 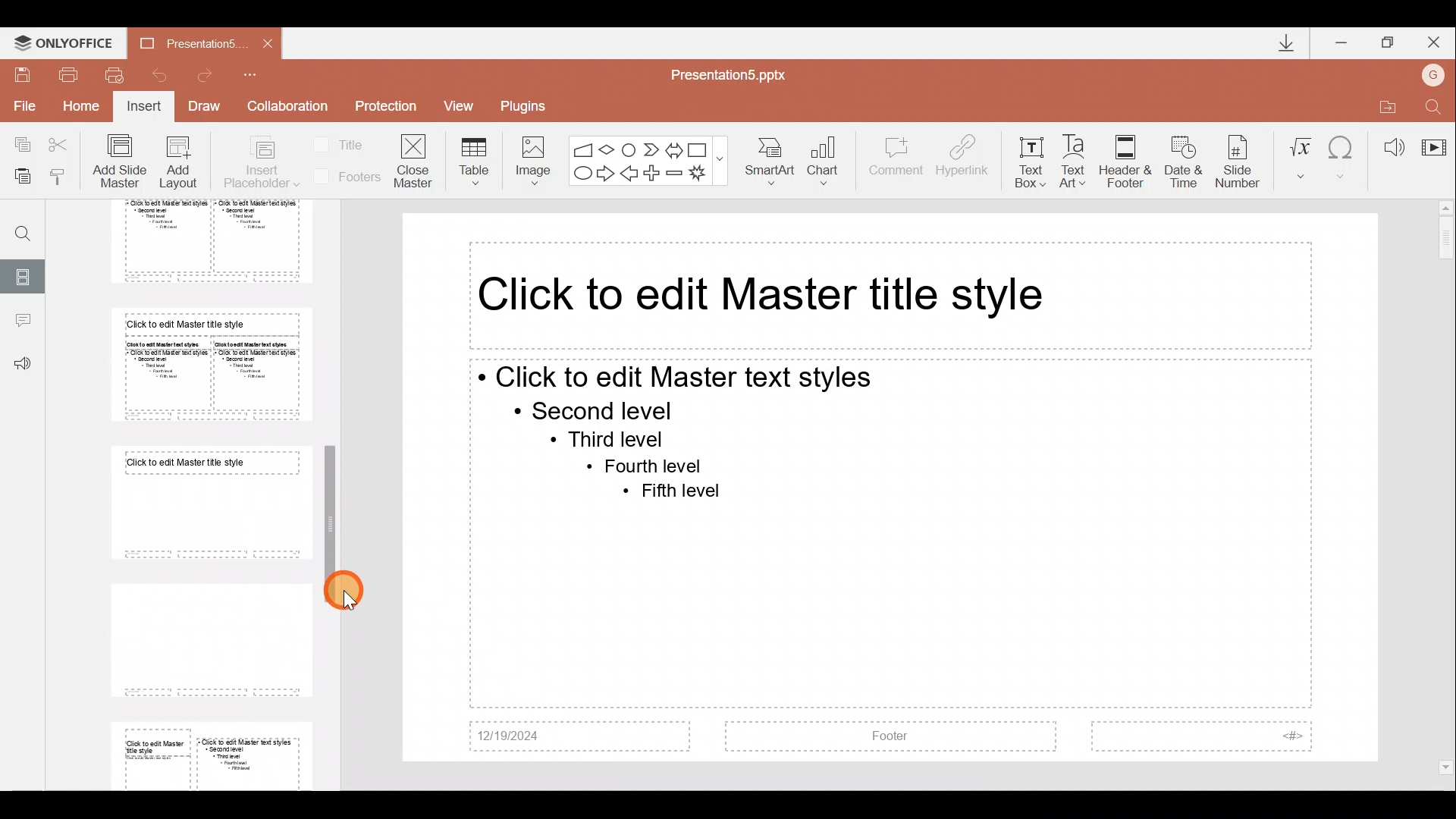 I want to click on Ellipse, so click(x=581, y=174).